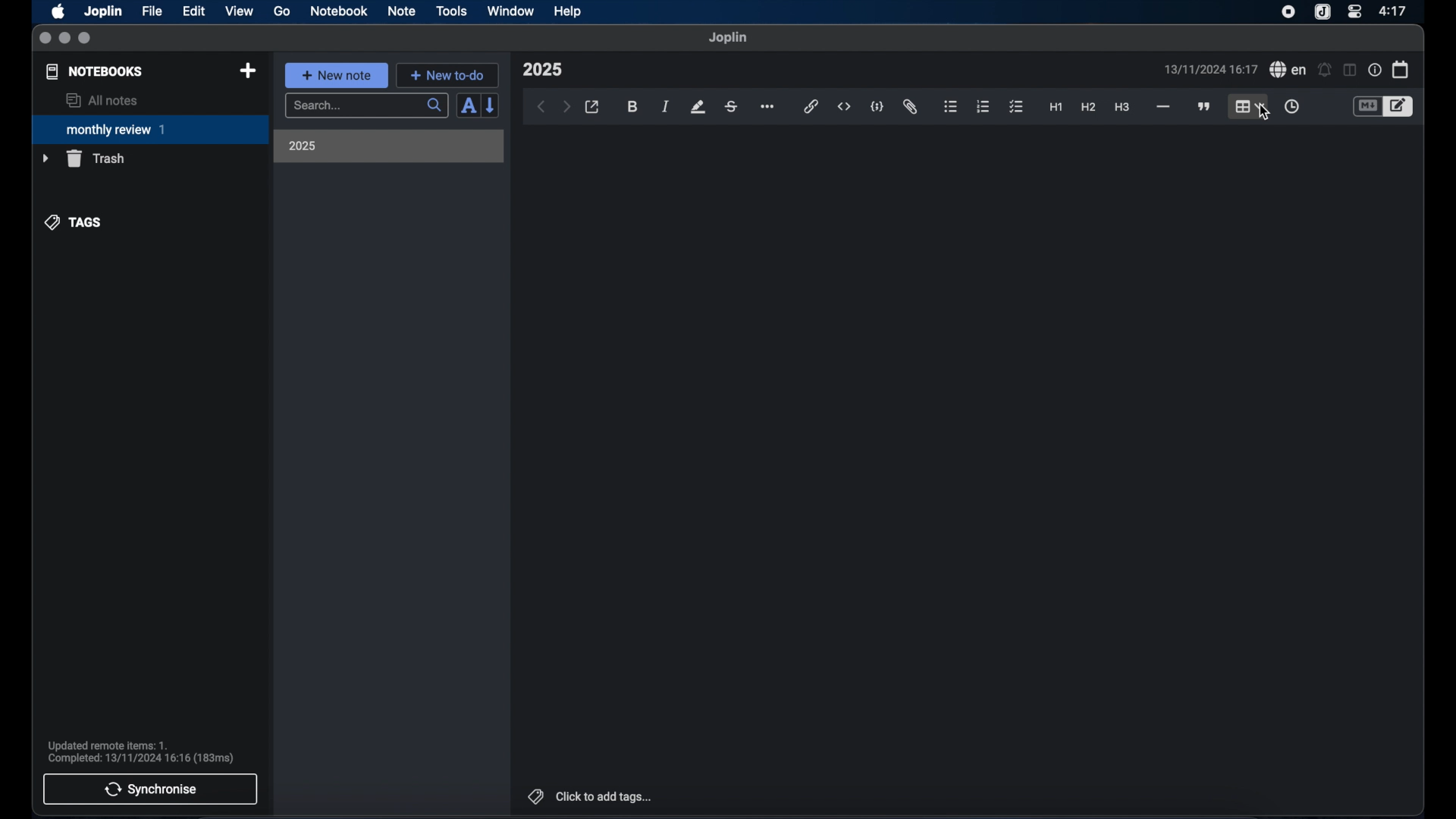  What do you see at coordinates (57, 11) in the screenshot?
I see `apple icon` at bounding box center [57, 11].